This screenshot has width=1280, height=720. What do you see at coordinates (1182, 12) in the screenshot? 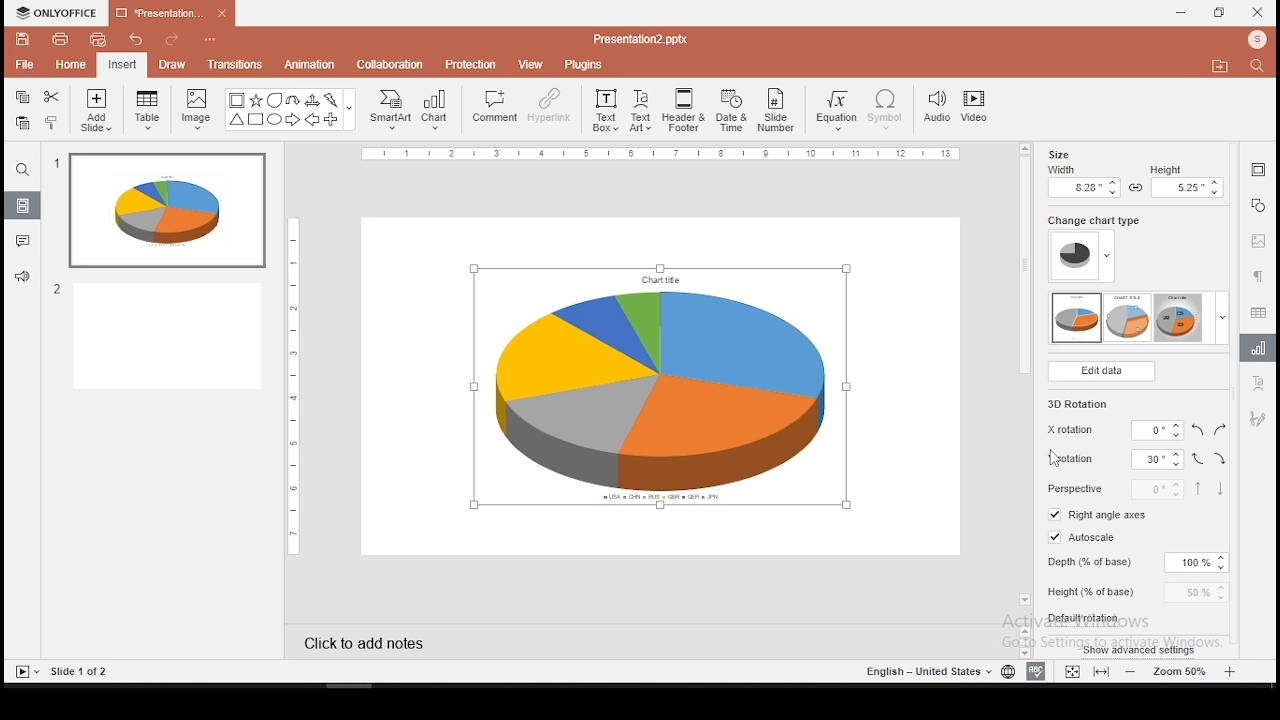
I see `minimize` at bounding box center [1182, 12].